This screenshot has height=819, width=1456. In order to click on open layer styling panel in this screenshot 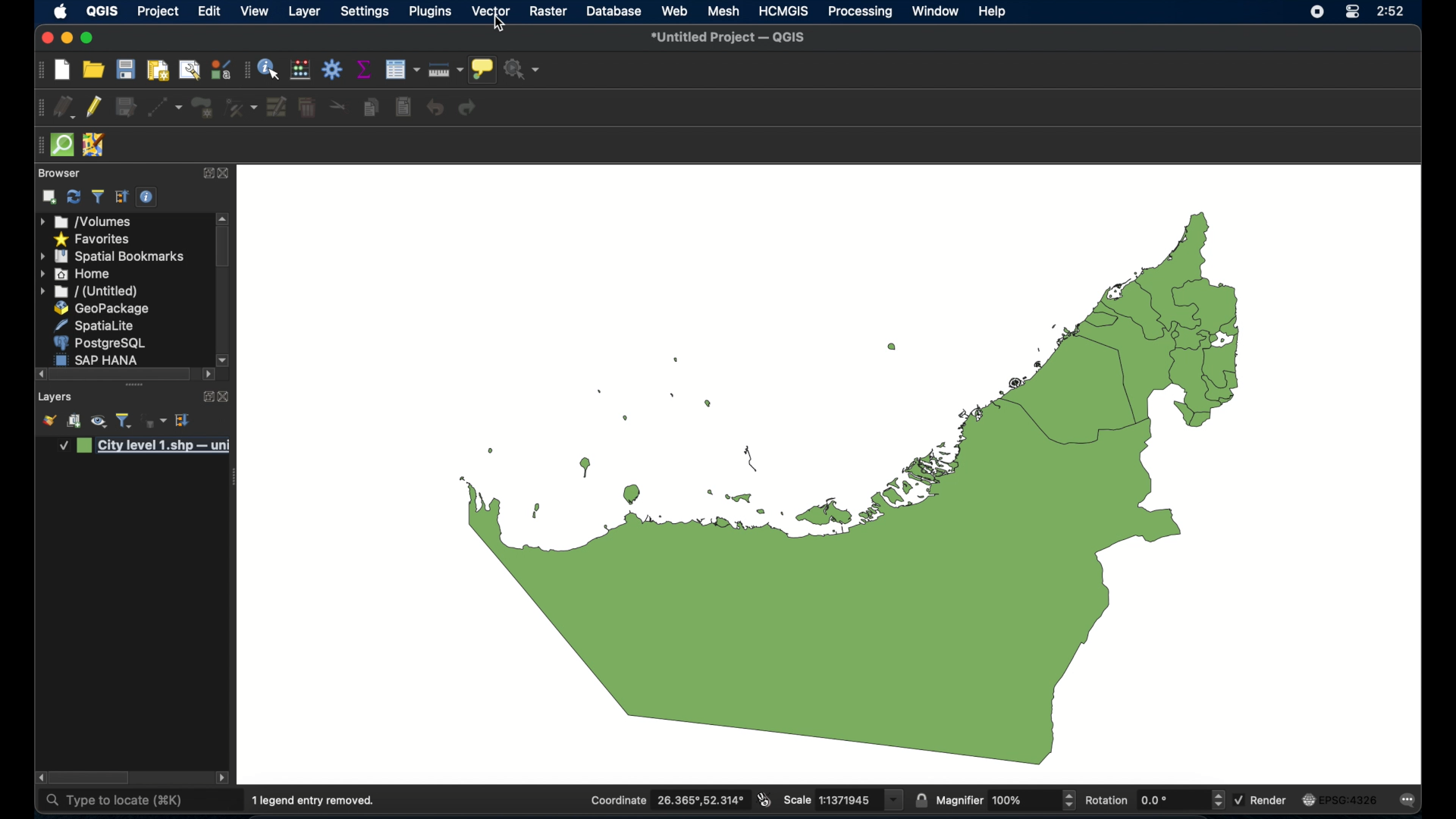, I will do `click(49, 422)`.